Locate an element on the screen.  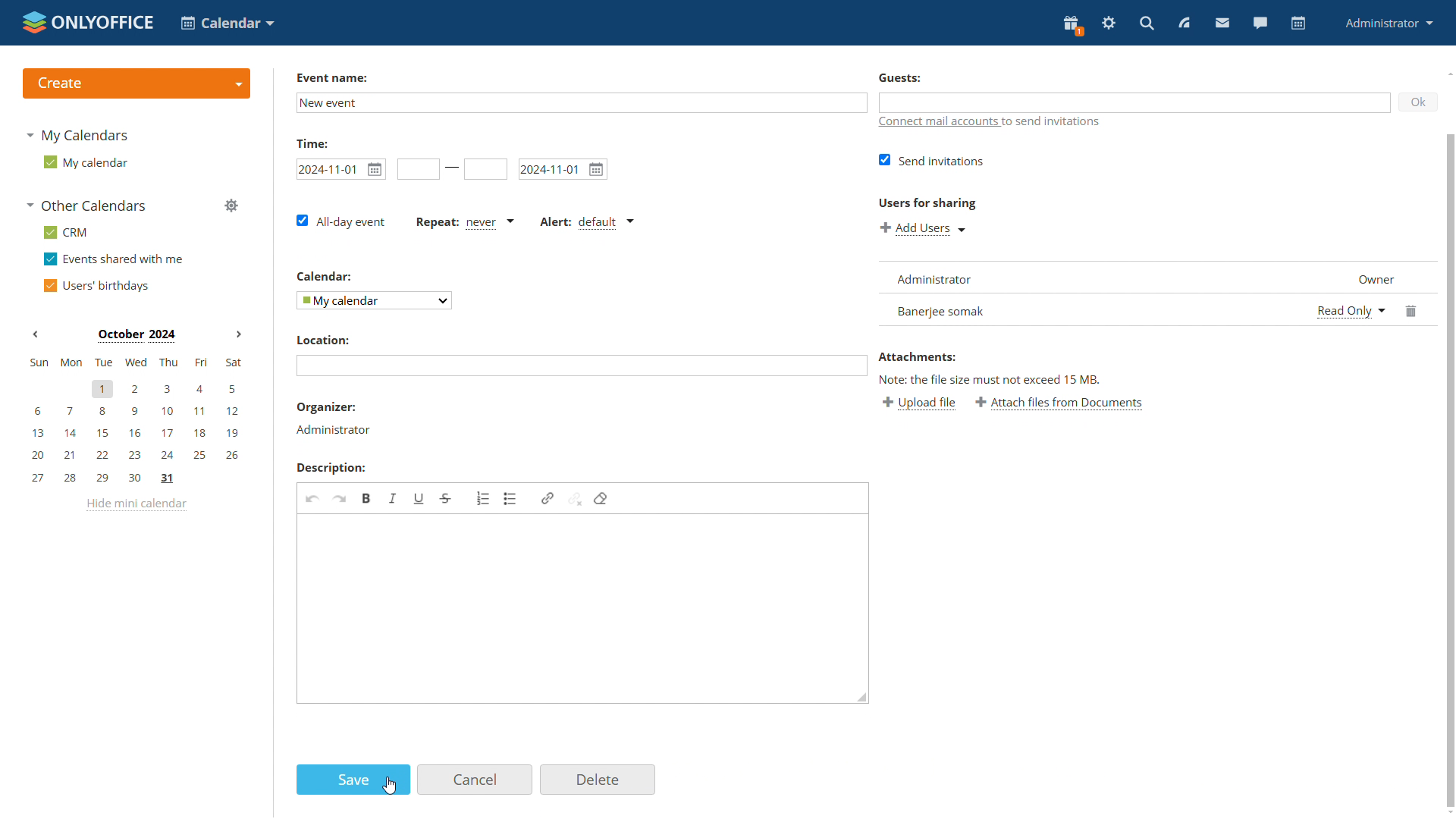
manage is located at coordinates (234, 207).